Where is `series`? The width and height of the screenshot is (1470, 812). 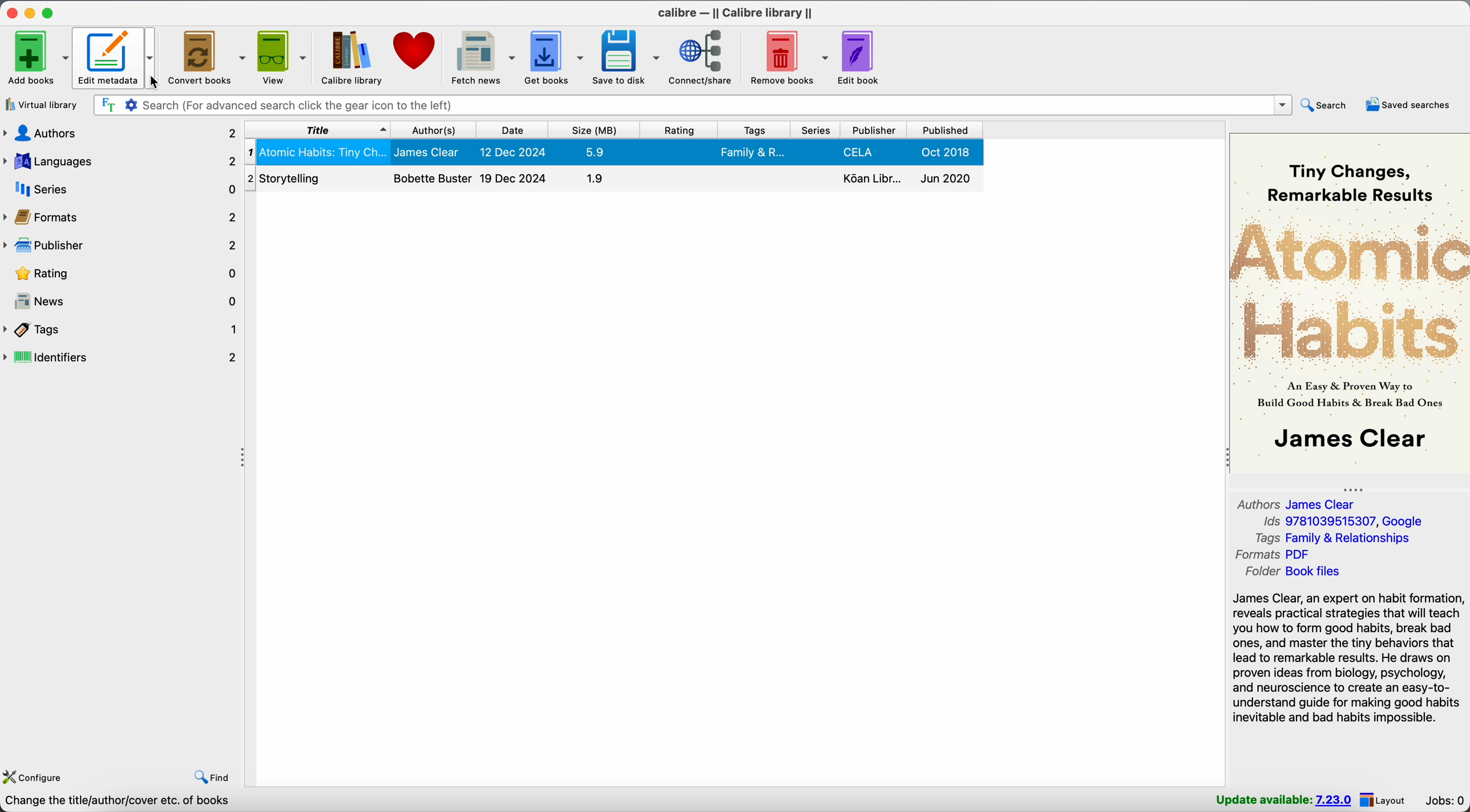
series is located at coordinates (122, 188).